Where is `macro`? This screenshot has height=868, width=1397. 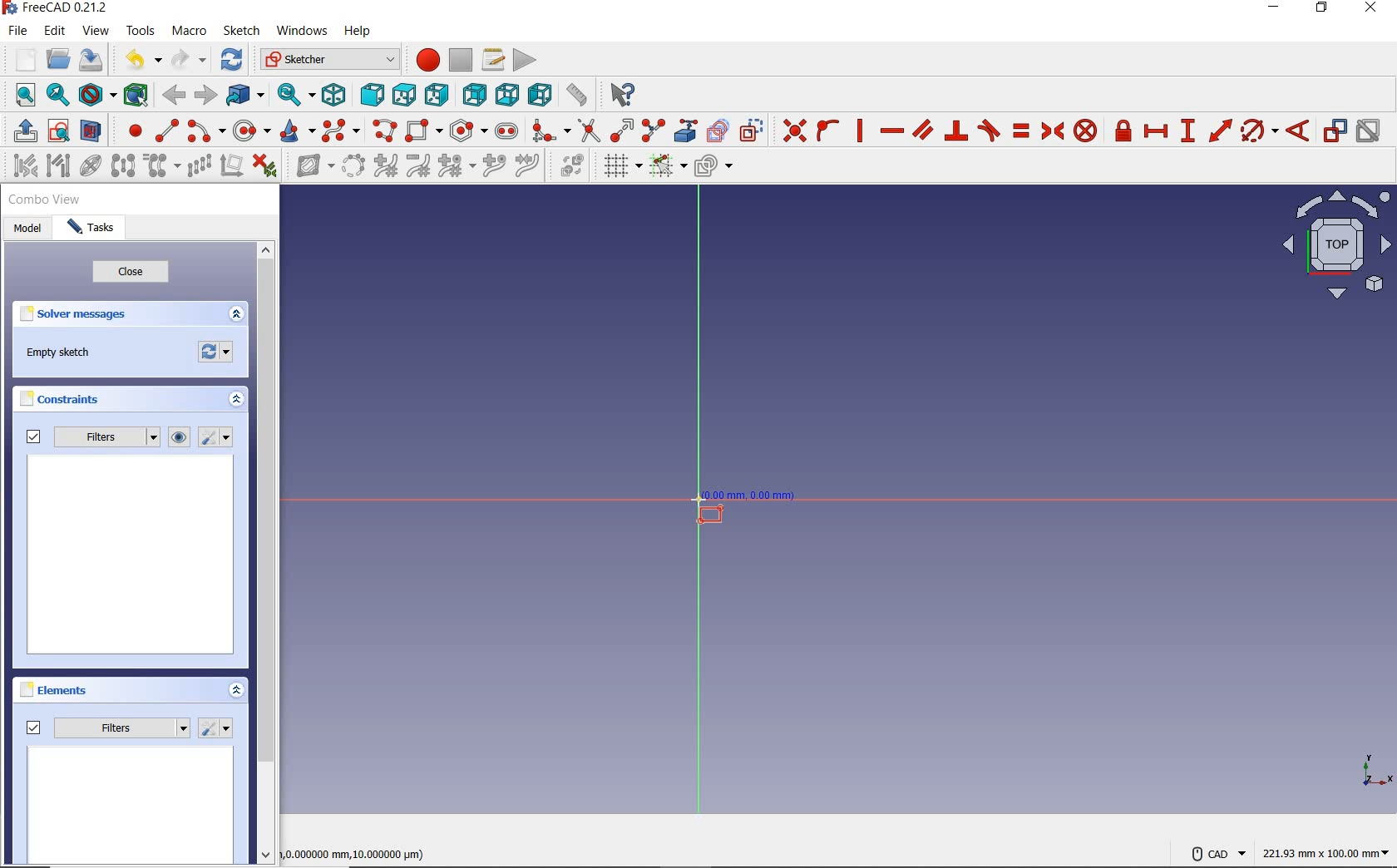 macro is located at coordinates (189, 32).